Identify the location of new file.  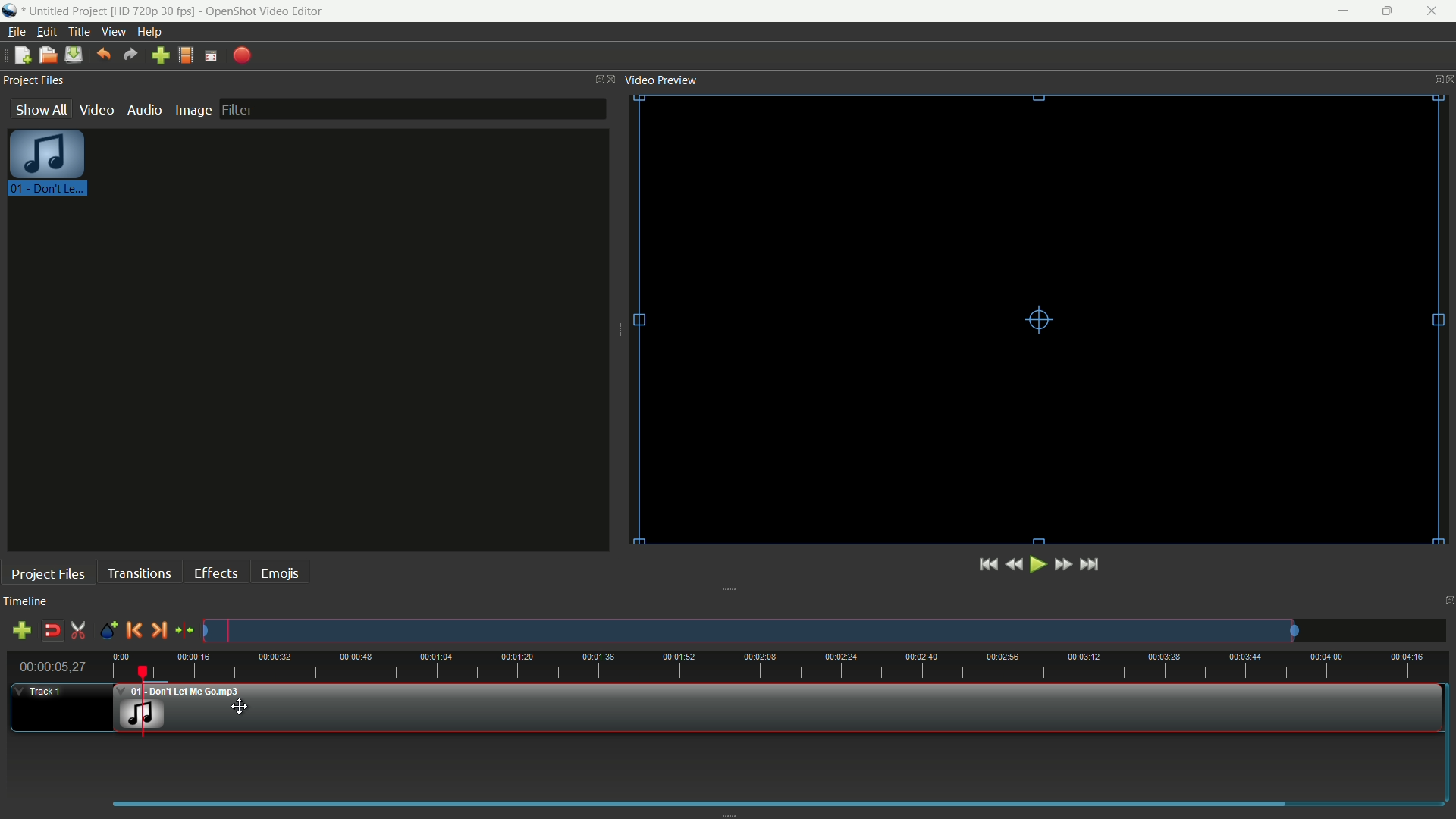
(22, 55).